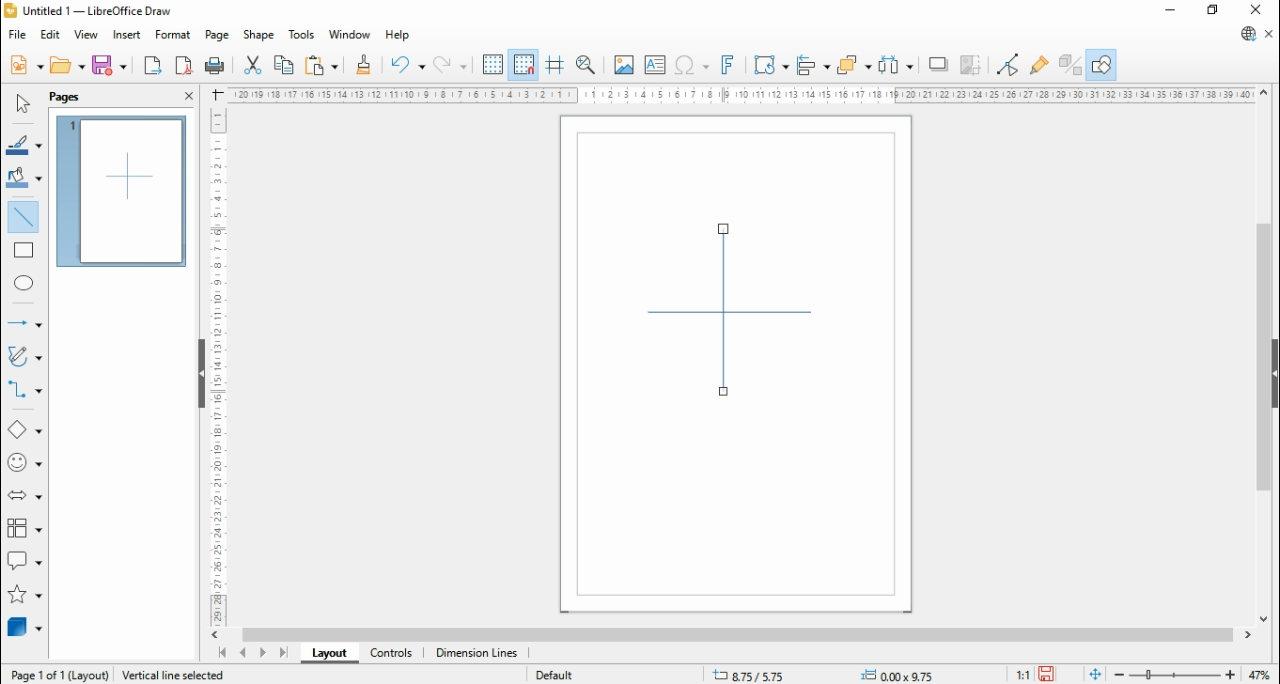 The height and width of the screenshot is (684, 1280). What do you see at coordinates (554, 63) in the screenshot?
I see `helplines while moving` at bounding box center [554, 63].